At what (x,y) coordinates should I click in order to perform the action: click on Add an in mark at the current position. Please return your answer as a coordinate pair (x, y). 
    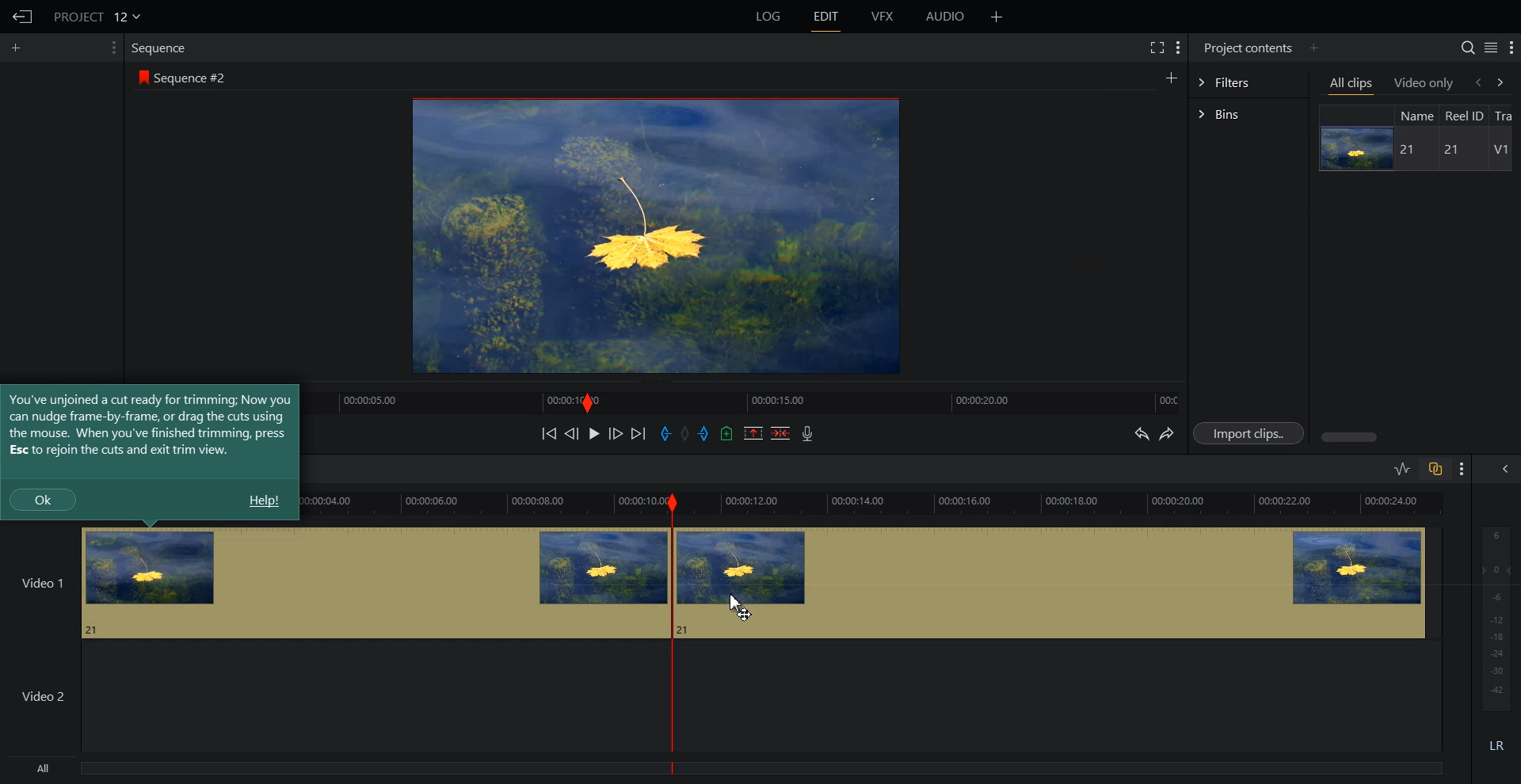
    Looking at the image, I should click on (665, 433).